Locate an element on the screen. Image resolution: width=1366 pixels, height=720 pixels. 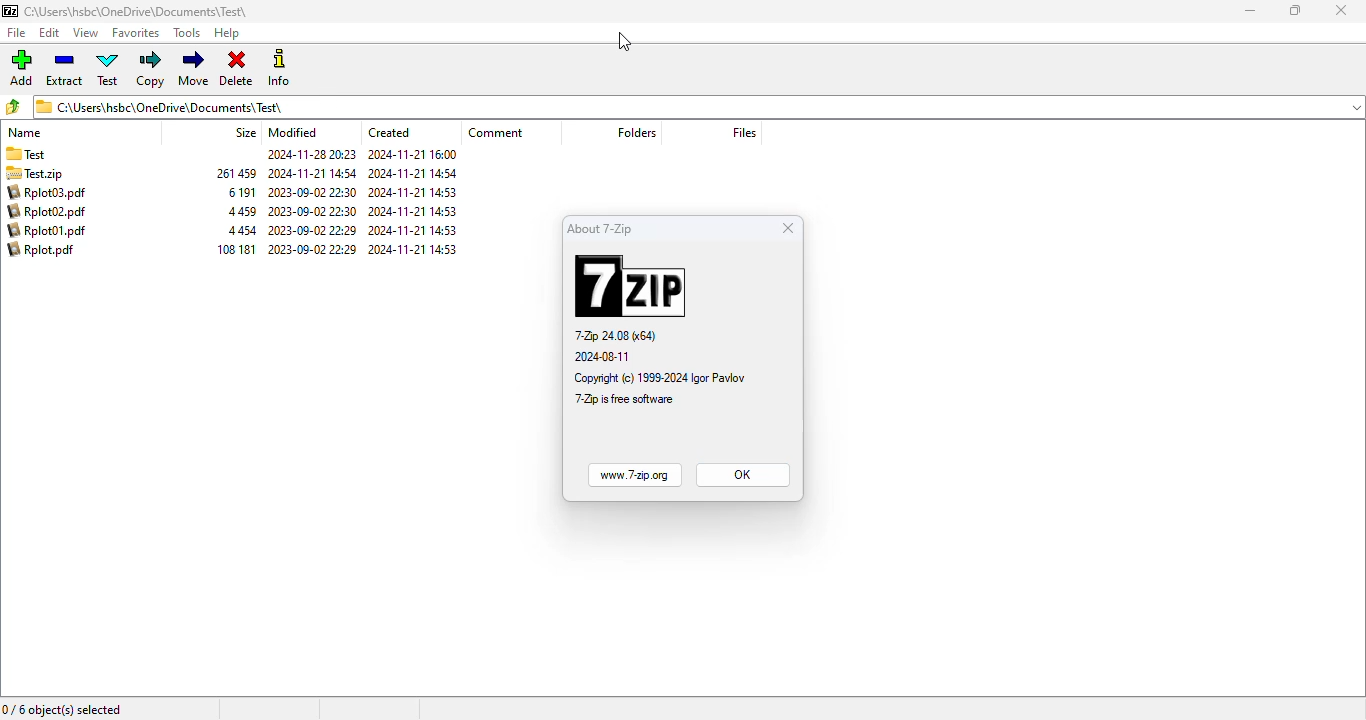
browse folders is located at coordinates (13, 106).